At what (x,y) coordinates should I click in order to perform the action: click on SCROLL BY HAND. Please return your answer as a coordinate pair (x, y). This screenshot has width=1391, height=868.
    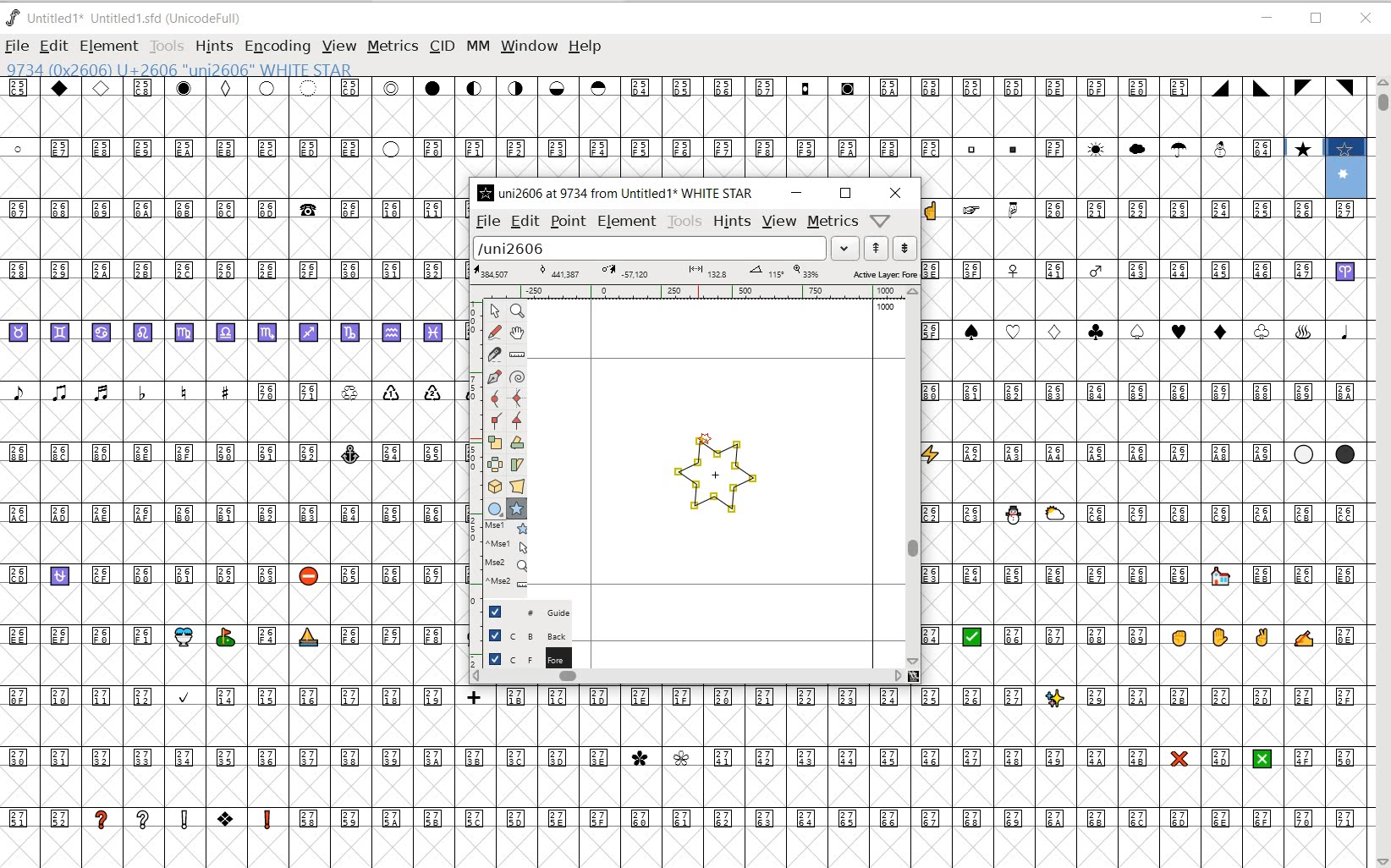
    Looking at the image, I should click on (516, 333).